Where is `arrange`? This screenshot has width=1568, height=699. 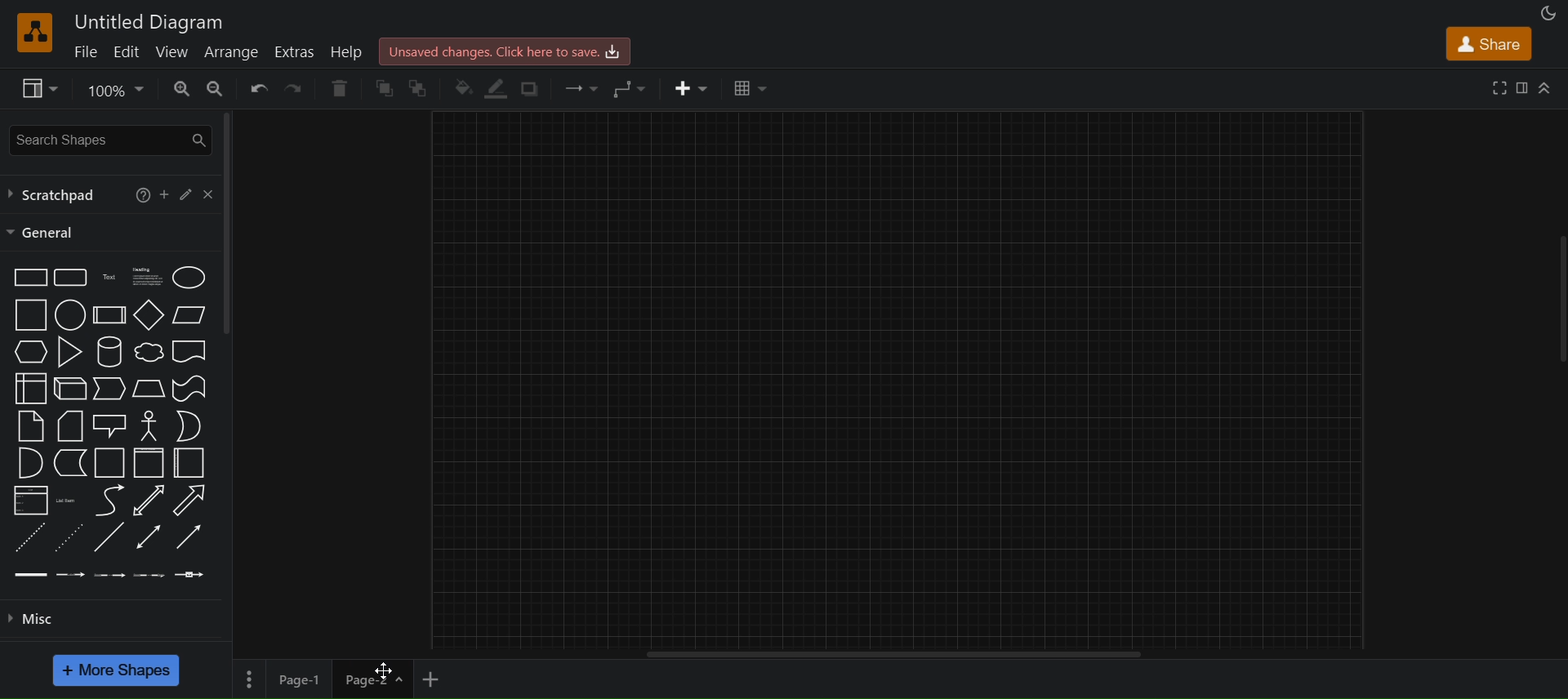 arrange is located at coordinates (232, 55).